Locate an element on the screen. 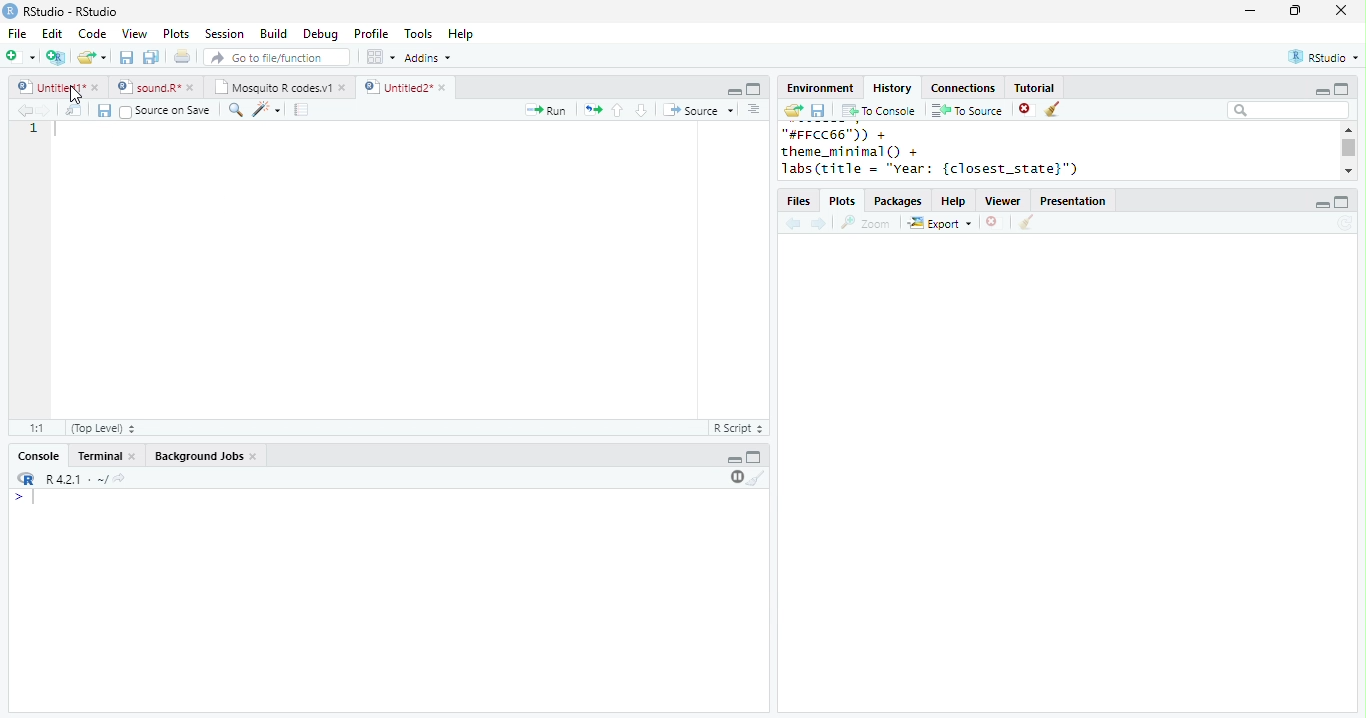 This screenshot has height=718, width=1366. logo is located at coordinates (10, 10).